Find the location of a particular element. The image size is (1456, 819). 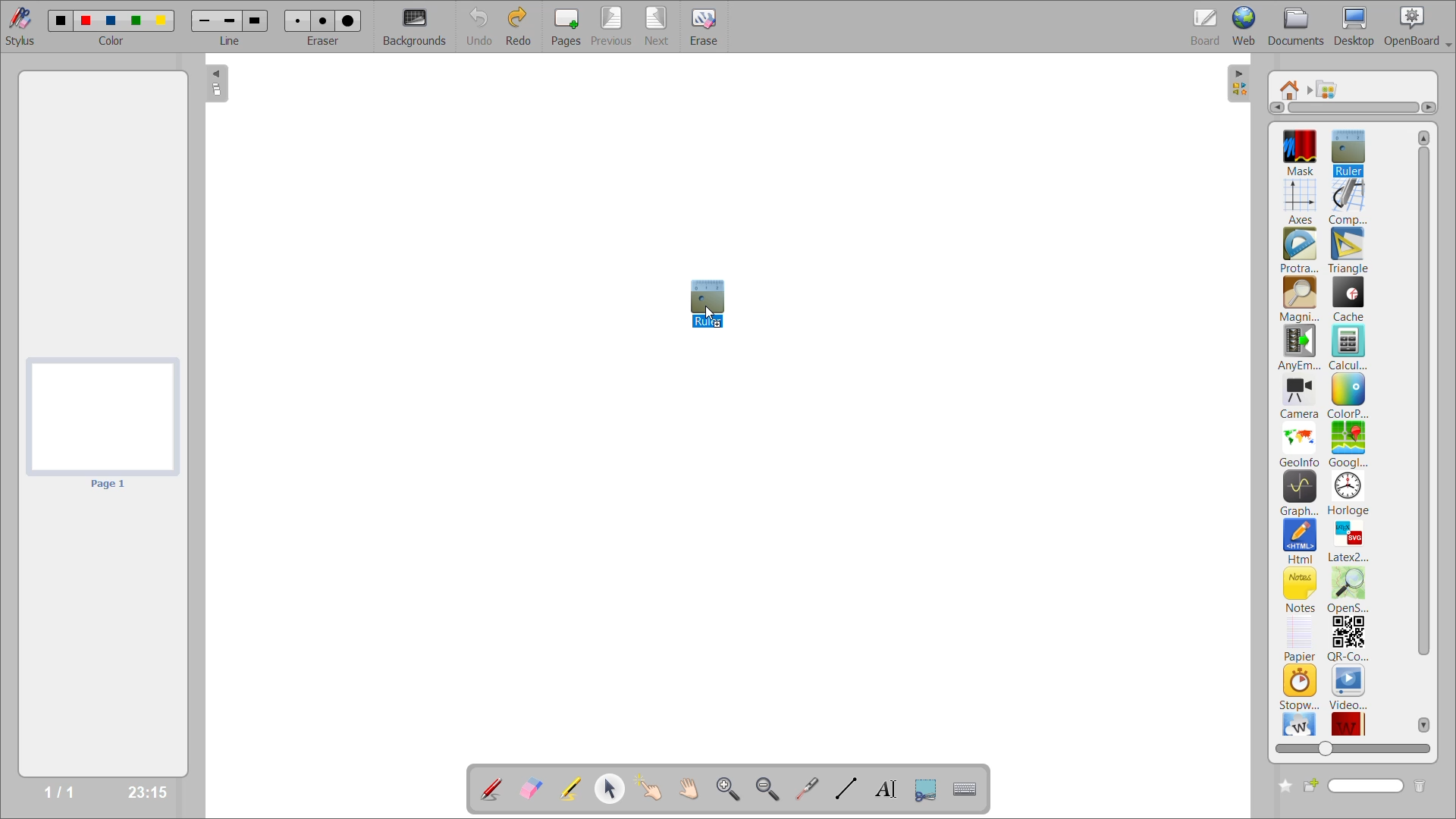

next is located at coordinates (659, 24).